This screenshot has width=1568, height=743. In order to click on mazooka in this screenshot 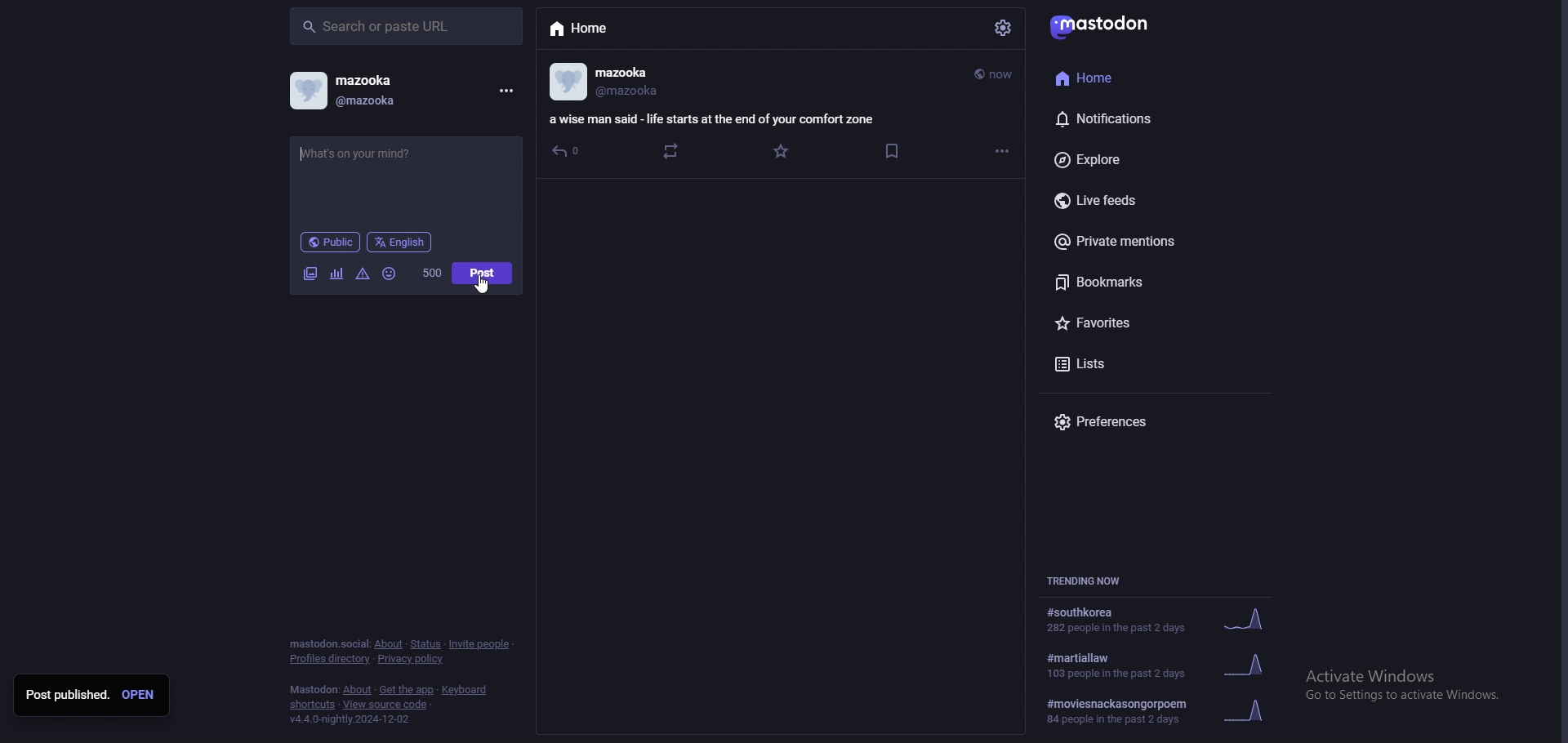, I will do `click(622, 73)`.